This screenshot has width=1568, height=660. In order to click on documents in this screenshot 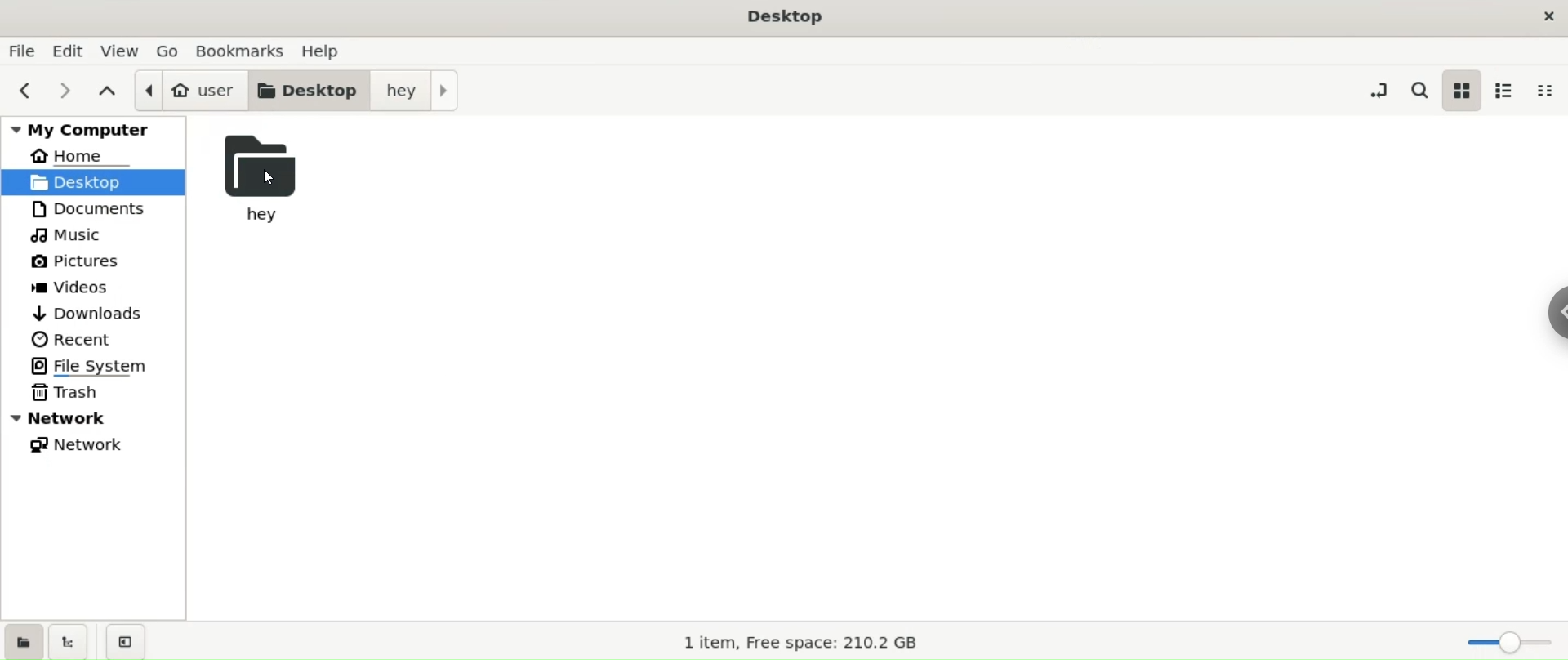, I will do `click(100, 209)`.